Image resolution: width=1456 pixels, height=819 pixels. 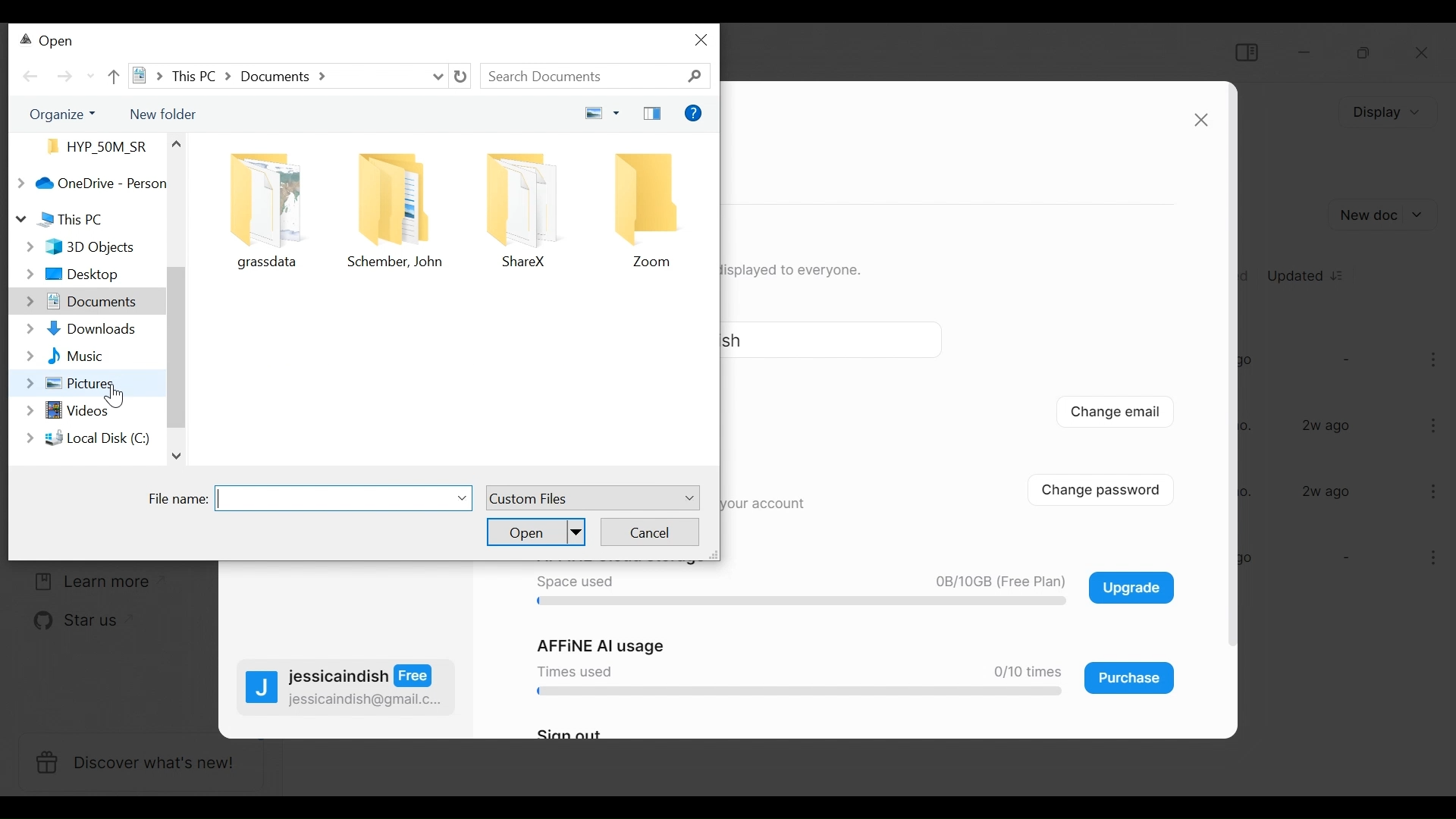 What do you see at coordinates (1307, 274) in the screenshot?
I see `Updated` at bounding box center [1307, 274].